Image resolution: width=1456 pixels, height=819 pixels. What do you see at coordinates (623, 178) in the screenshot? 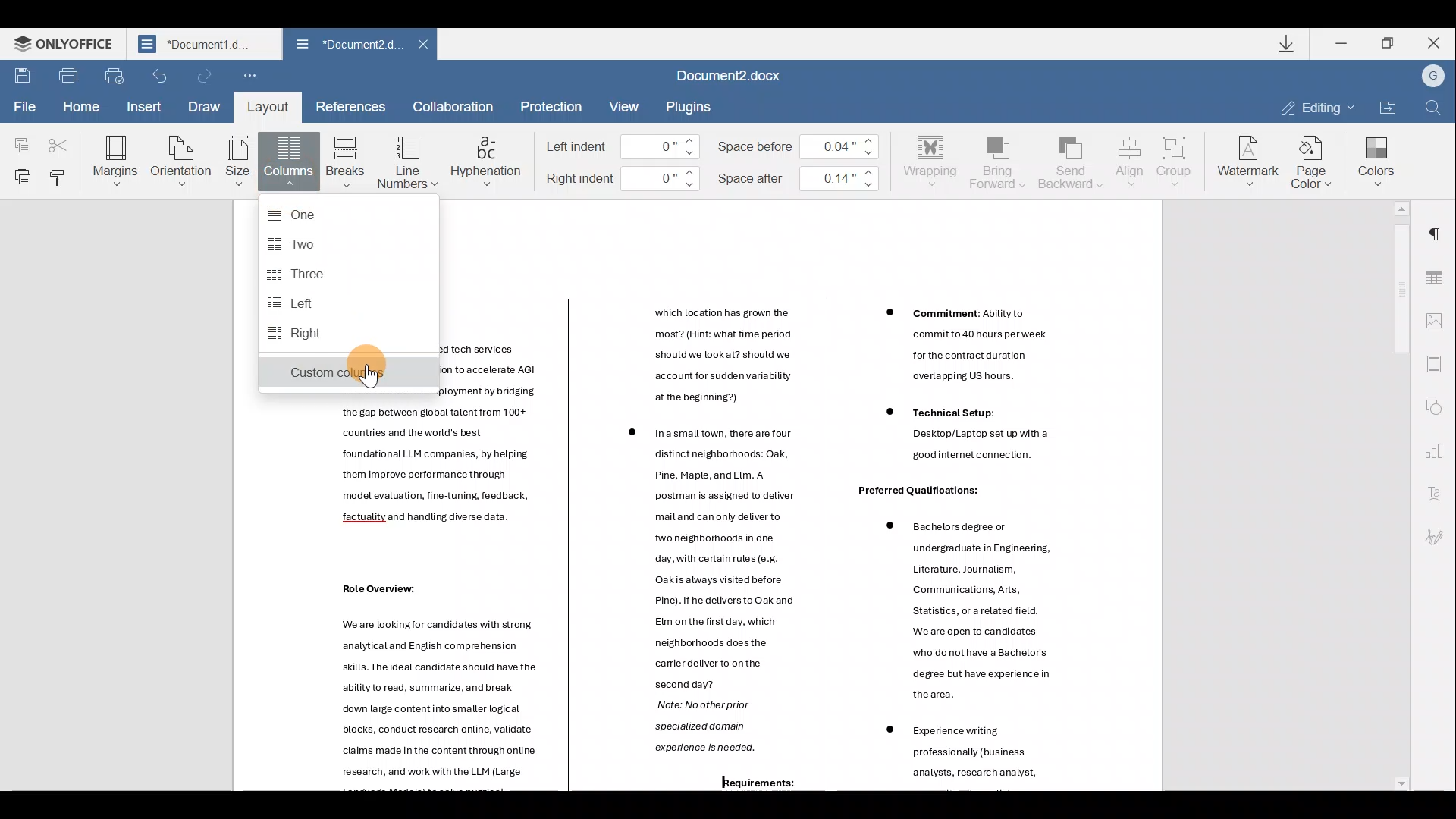
I see `Right indent` at bounding box center [623, 178].